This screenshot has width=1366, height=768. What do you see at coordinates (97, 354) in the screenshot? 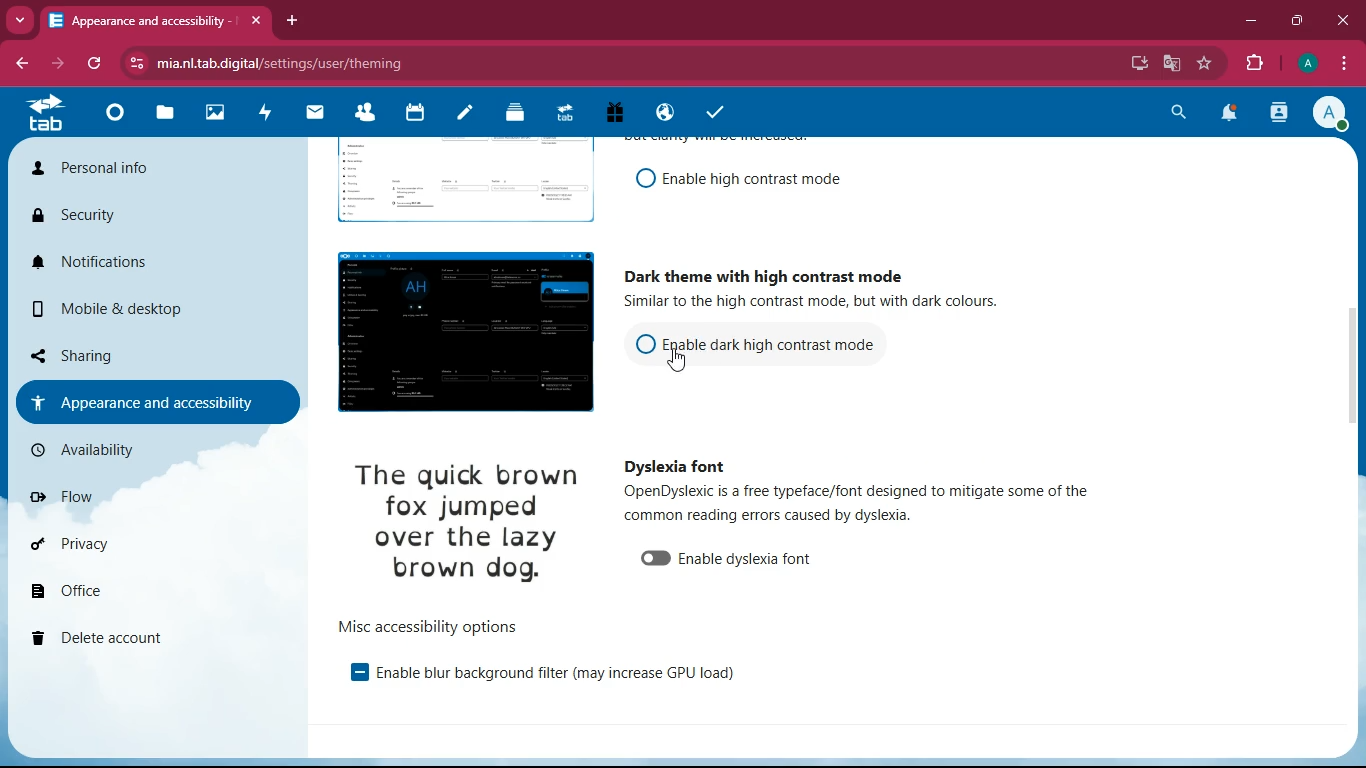
I see `sharing` at bounding box center [97, 354].